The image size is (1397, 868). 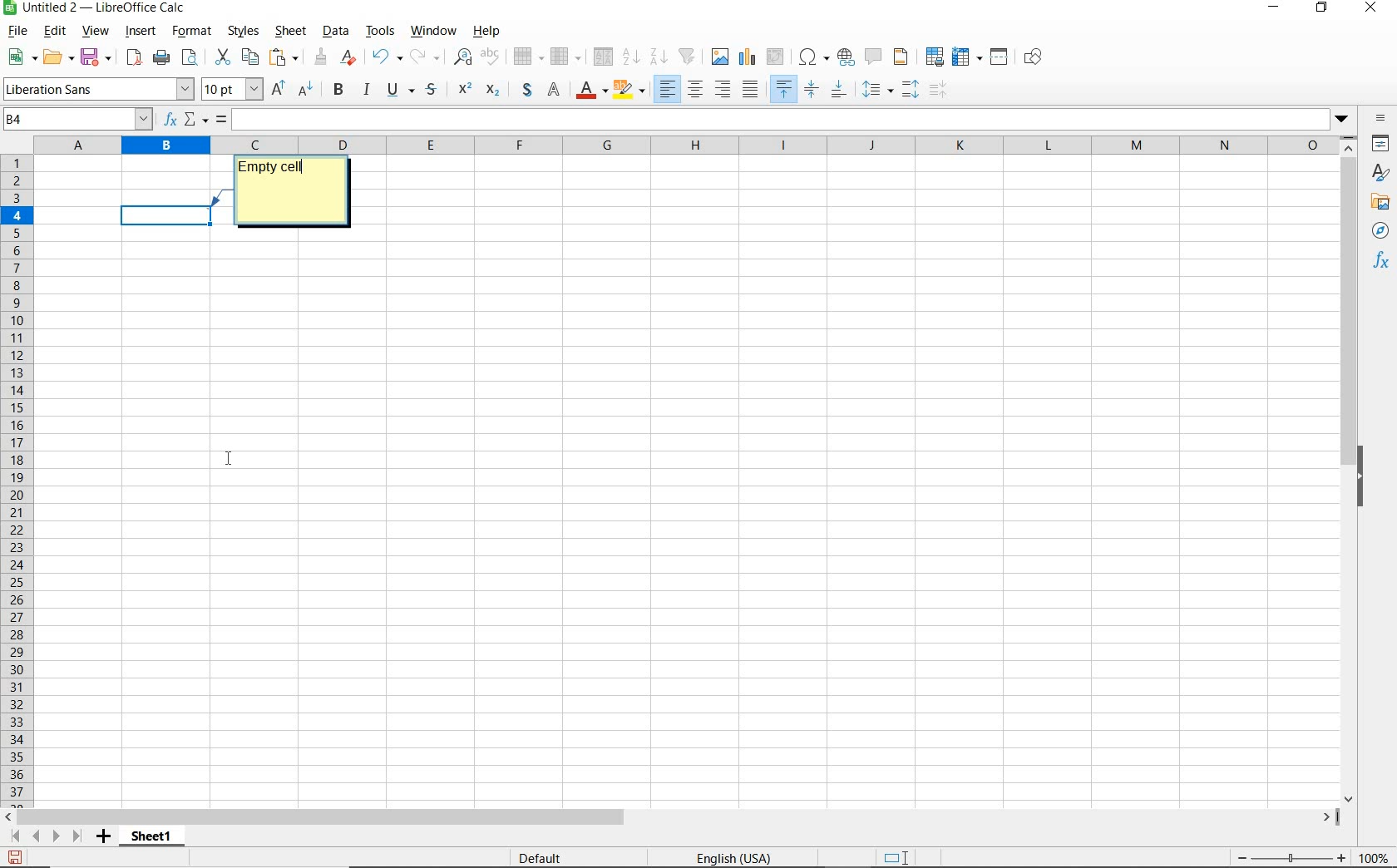 I want to click on Align left, so click(x=667, y=90).